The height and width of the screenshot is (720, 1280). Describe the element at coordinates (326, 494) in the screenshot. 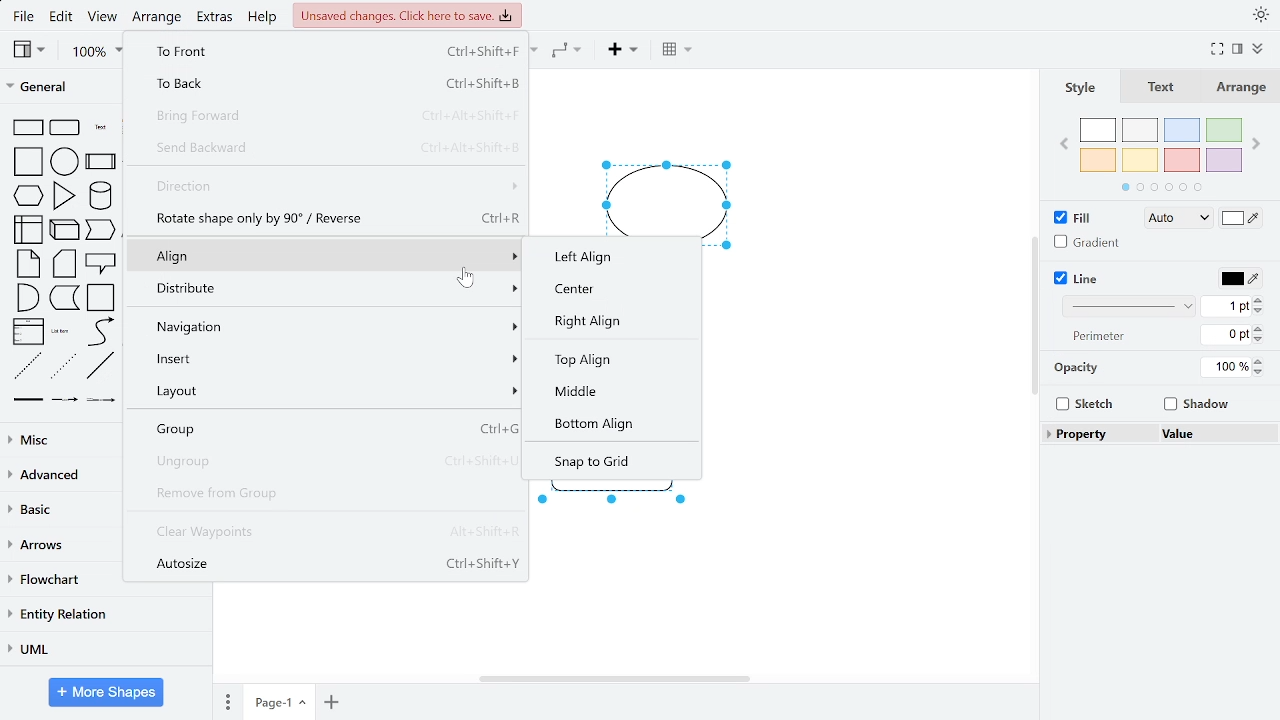

I see `remove from the group` at that location.